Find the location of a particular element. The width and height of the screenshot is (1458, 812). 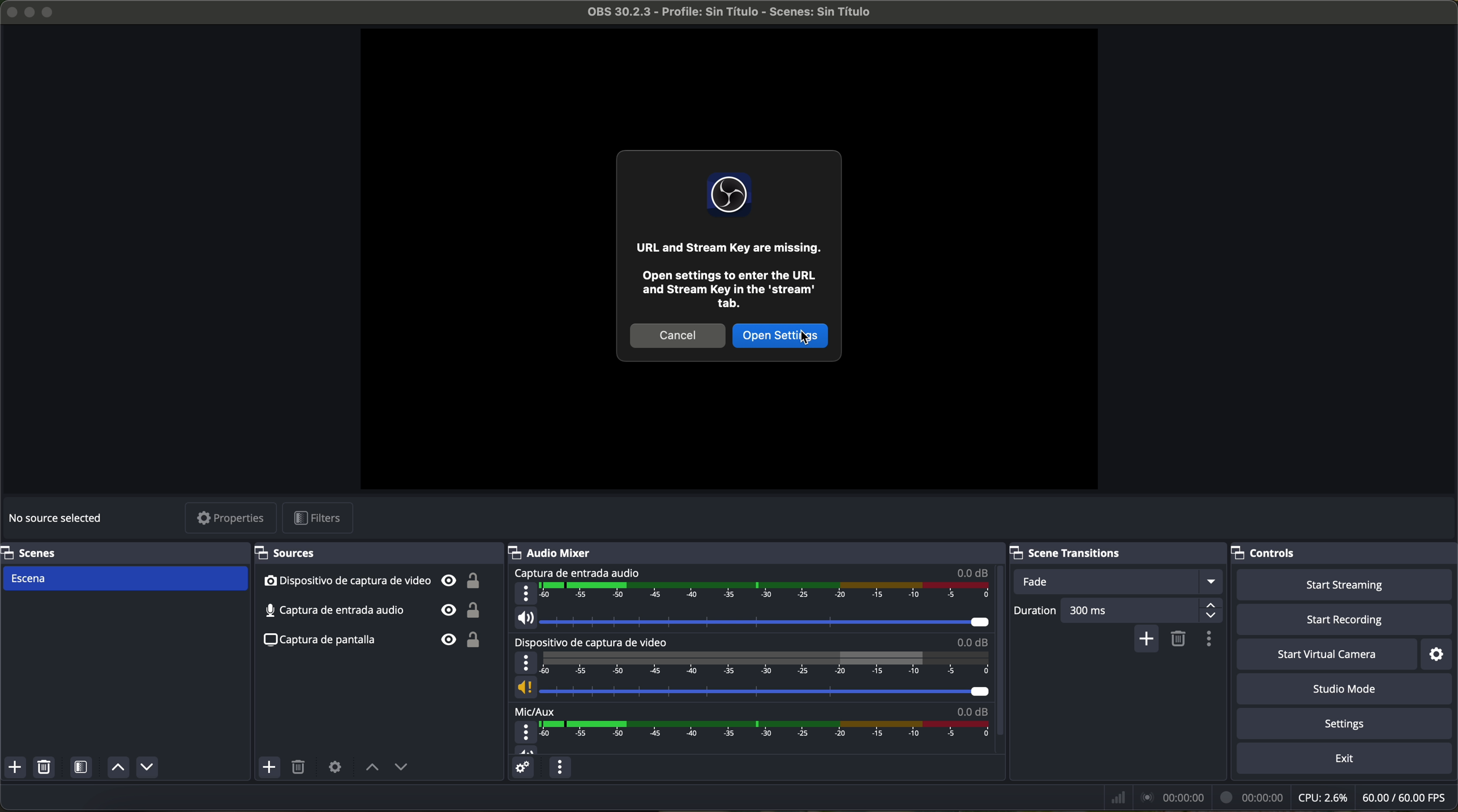

open source properties is located at coordinates (335, 766).